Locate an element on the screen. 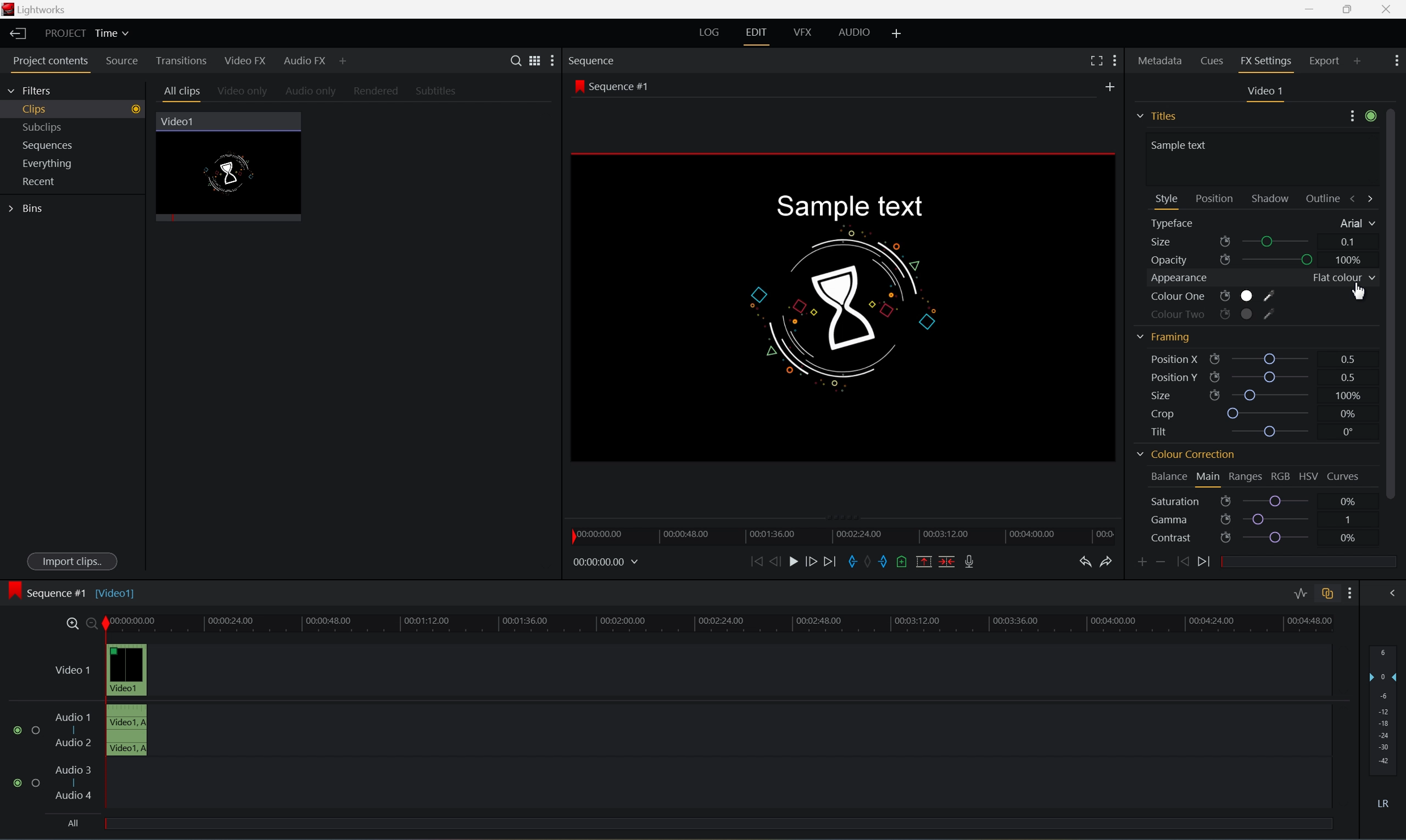 The image size is (1406, 840). video 1 is located at coordinates (1267, 91).